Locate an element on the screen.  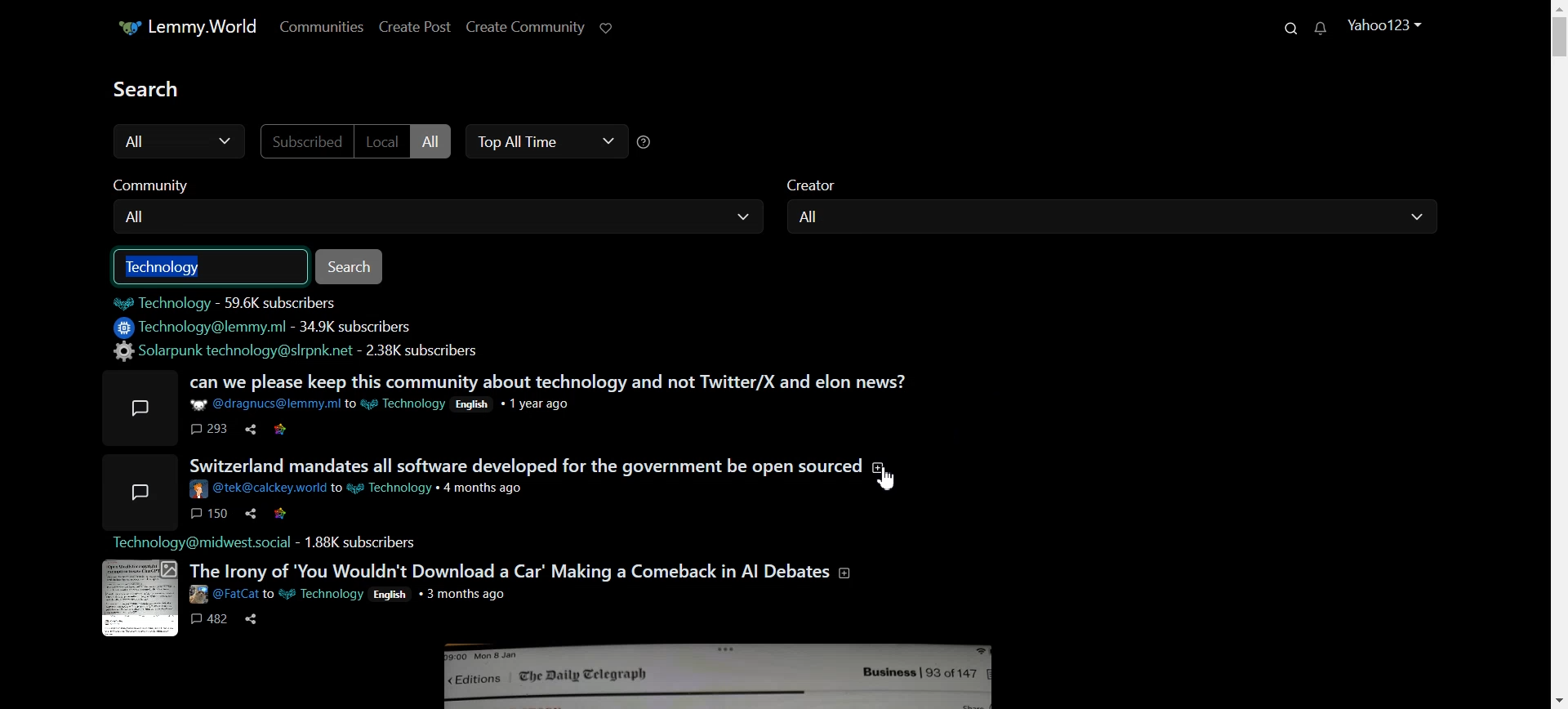
Technology@lemmy.ml - 34.9K subscribers is located at coordinates (265, 327).